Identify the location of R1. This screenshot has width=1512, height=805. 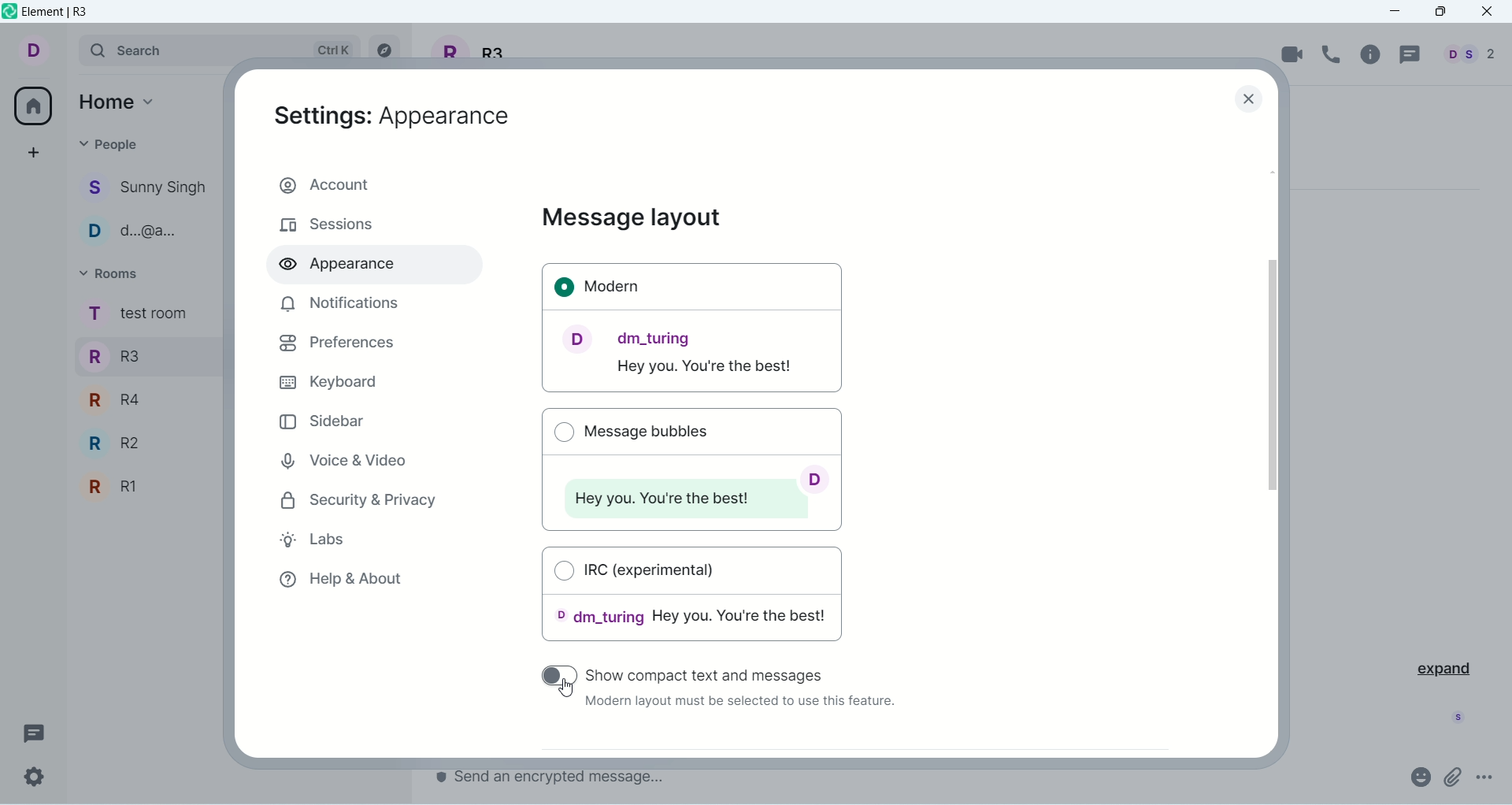
(145, 488).